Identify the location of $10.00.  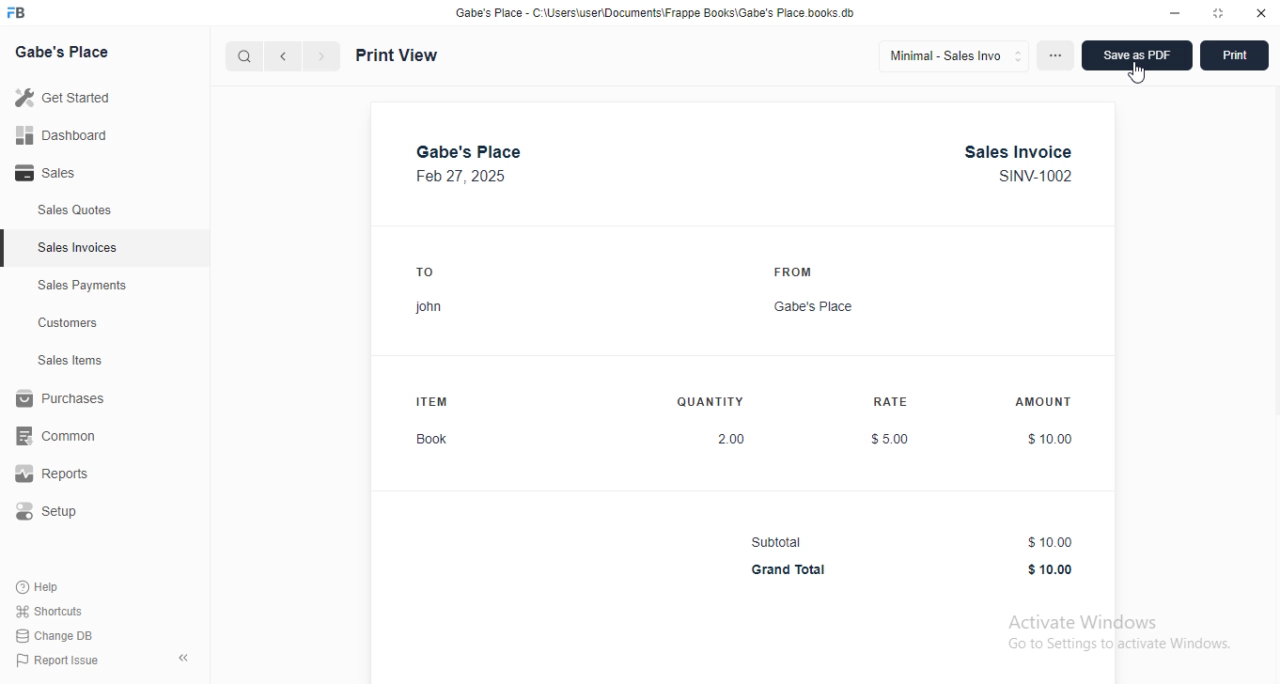
(1050, 440).